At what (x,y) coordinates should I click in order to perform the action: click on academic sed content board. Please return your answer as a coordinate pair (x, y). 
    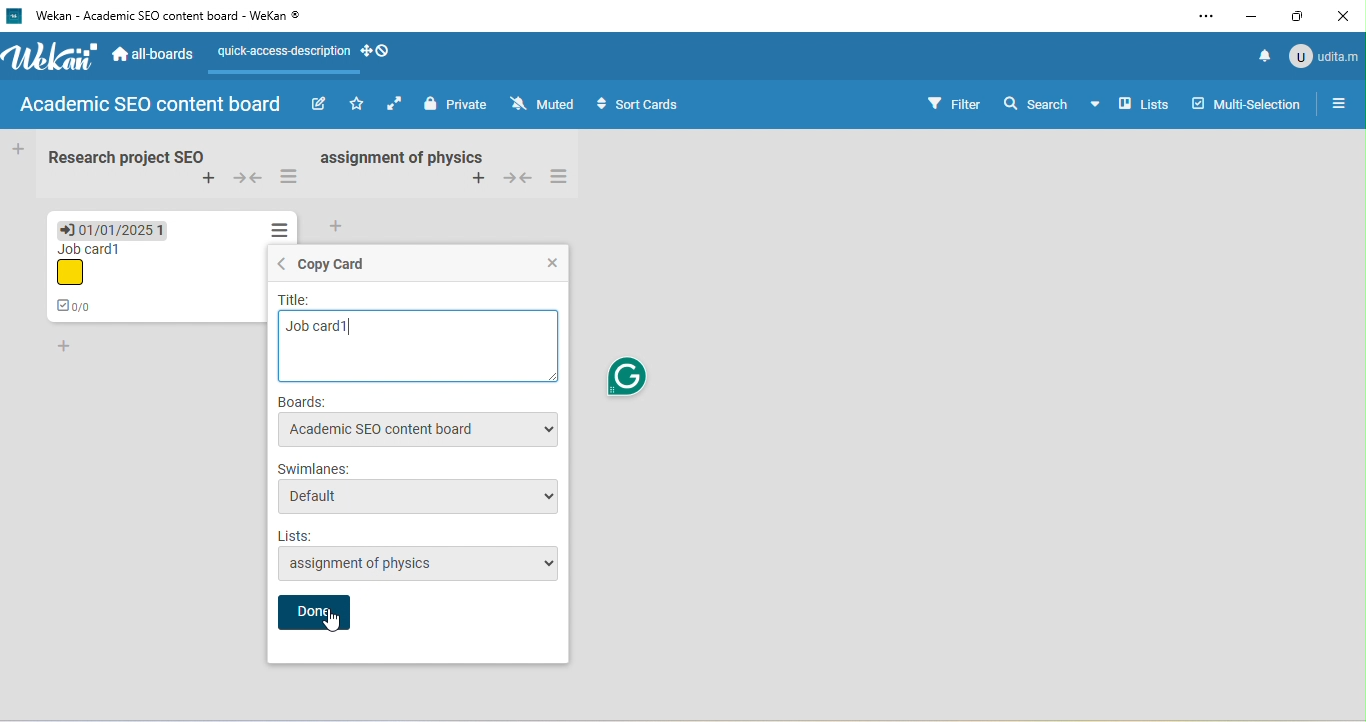
    Looking at the image, I should click on (152, 106).